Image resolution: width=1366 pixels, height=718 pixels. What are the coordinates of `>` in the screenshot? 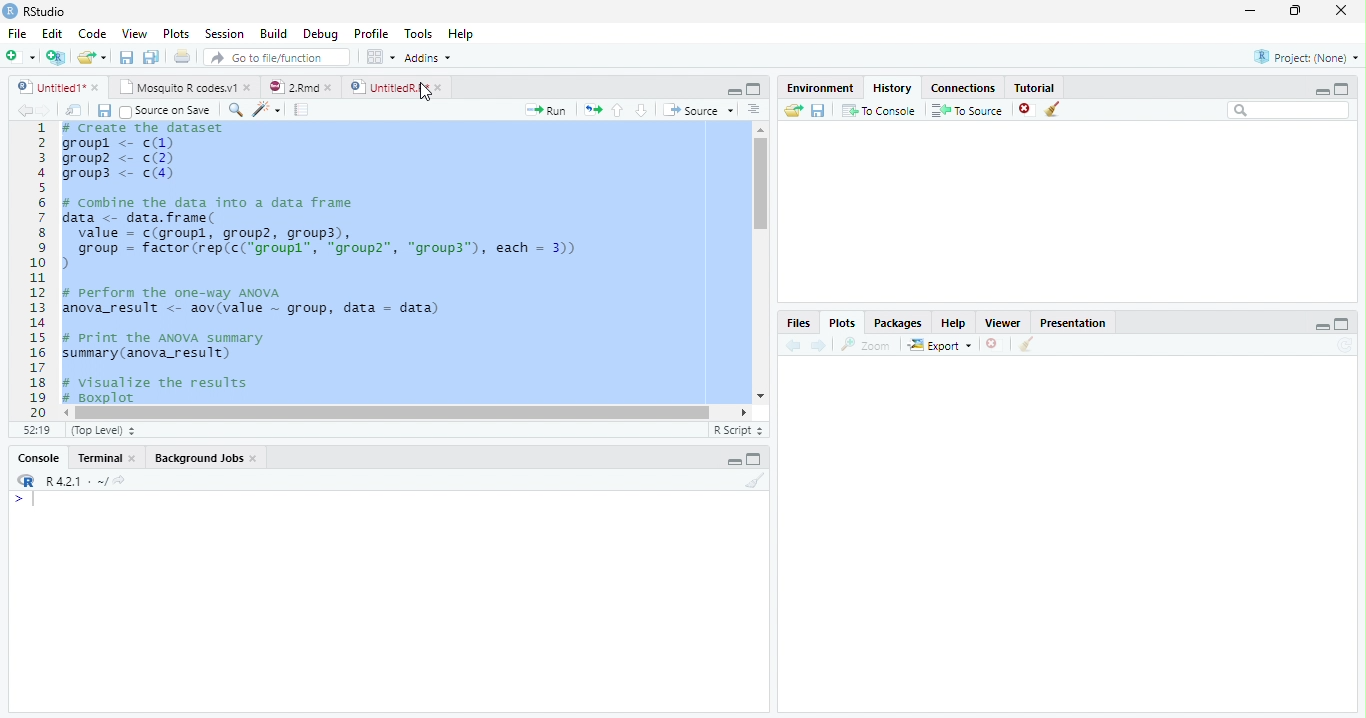 It's located at (14, 500).